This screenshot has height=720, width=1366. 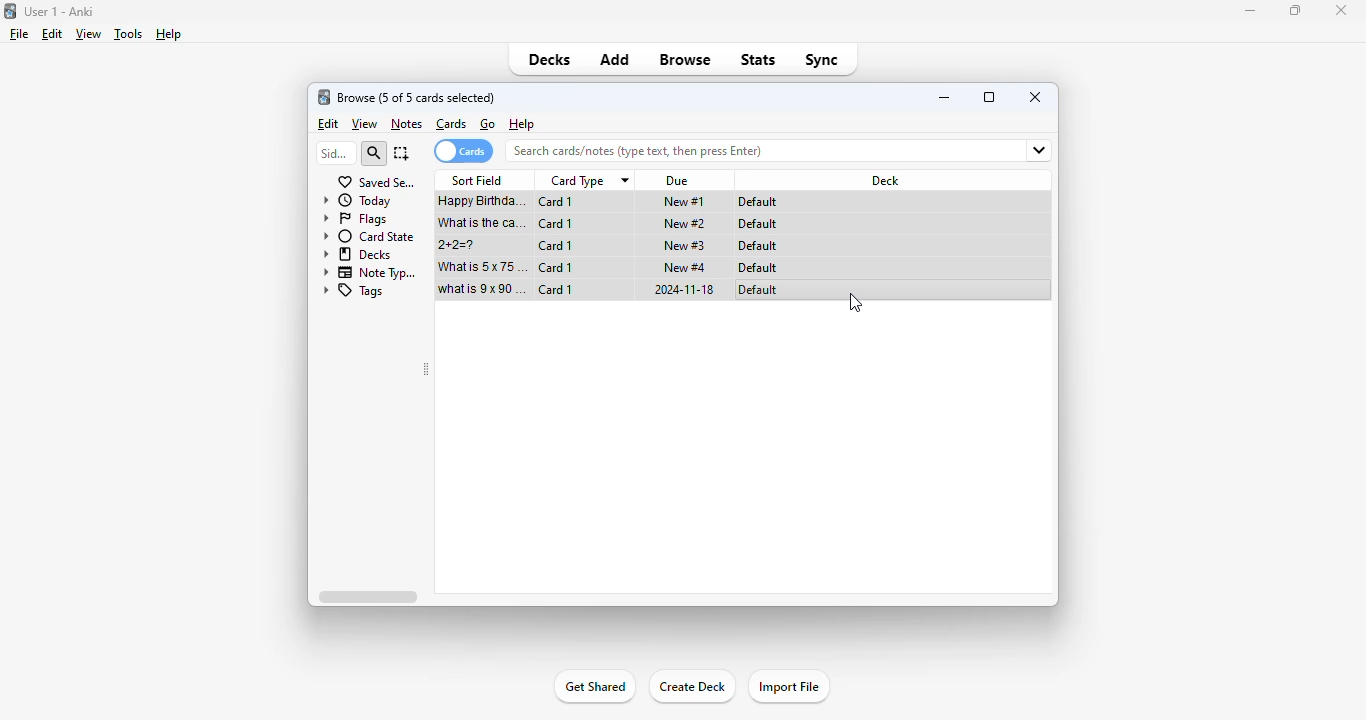 What do you see at coordinates (588, 181) in the screenshot?
I see `card type` at bounding box center [588, 181].